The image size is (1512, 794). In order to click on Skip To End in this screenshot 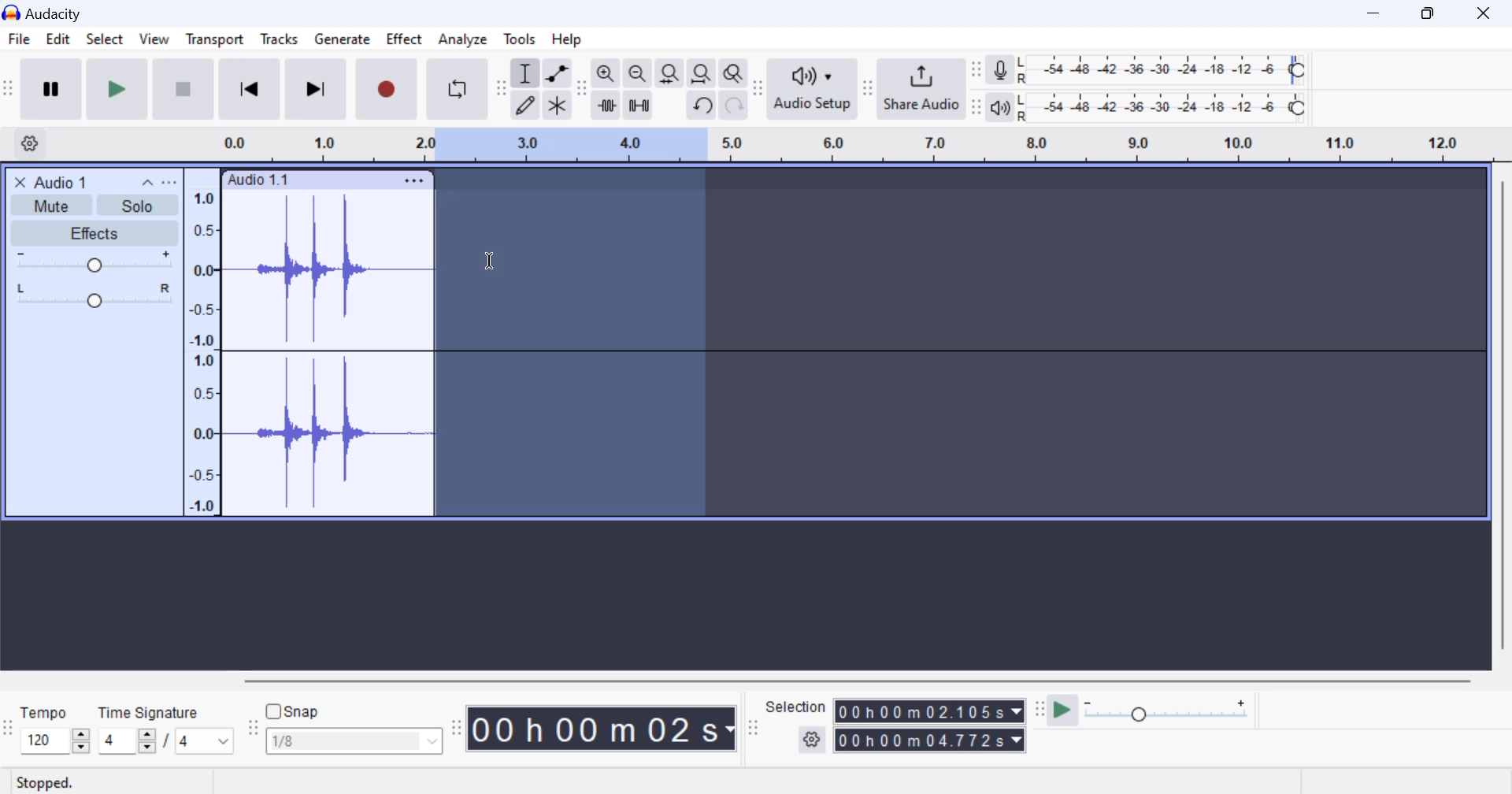, I will do `click(313, 92)`.